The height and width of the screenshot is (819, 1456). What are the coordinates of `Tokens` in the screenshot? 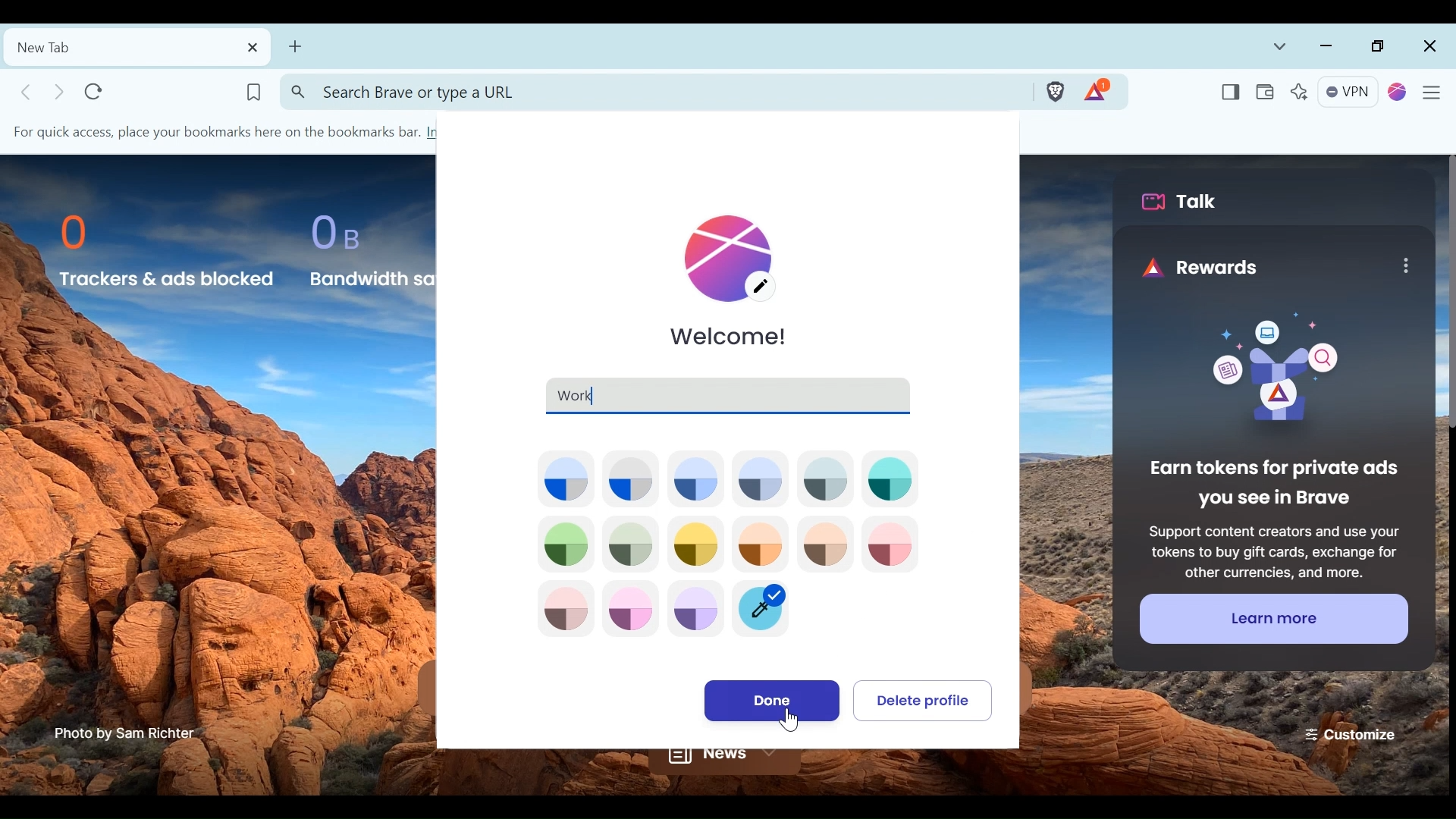 It's located at (1099, 90).